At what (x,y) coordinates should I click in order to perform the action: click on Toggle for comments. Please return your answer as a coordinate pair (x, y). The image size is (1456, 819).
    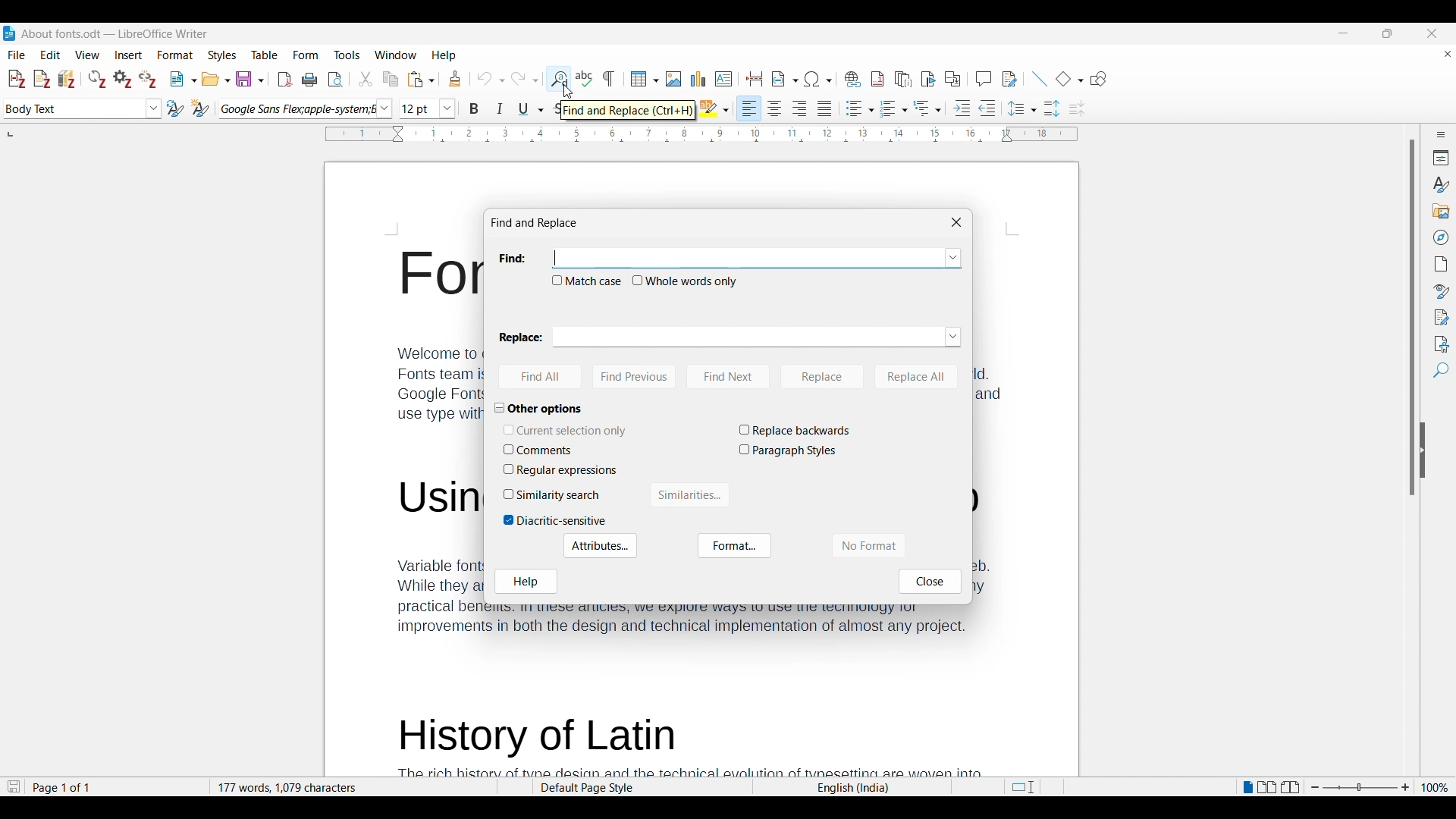
    Looking at the image, I should click on (544, 450).